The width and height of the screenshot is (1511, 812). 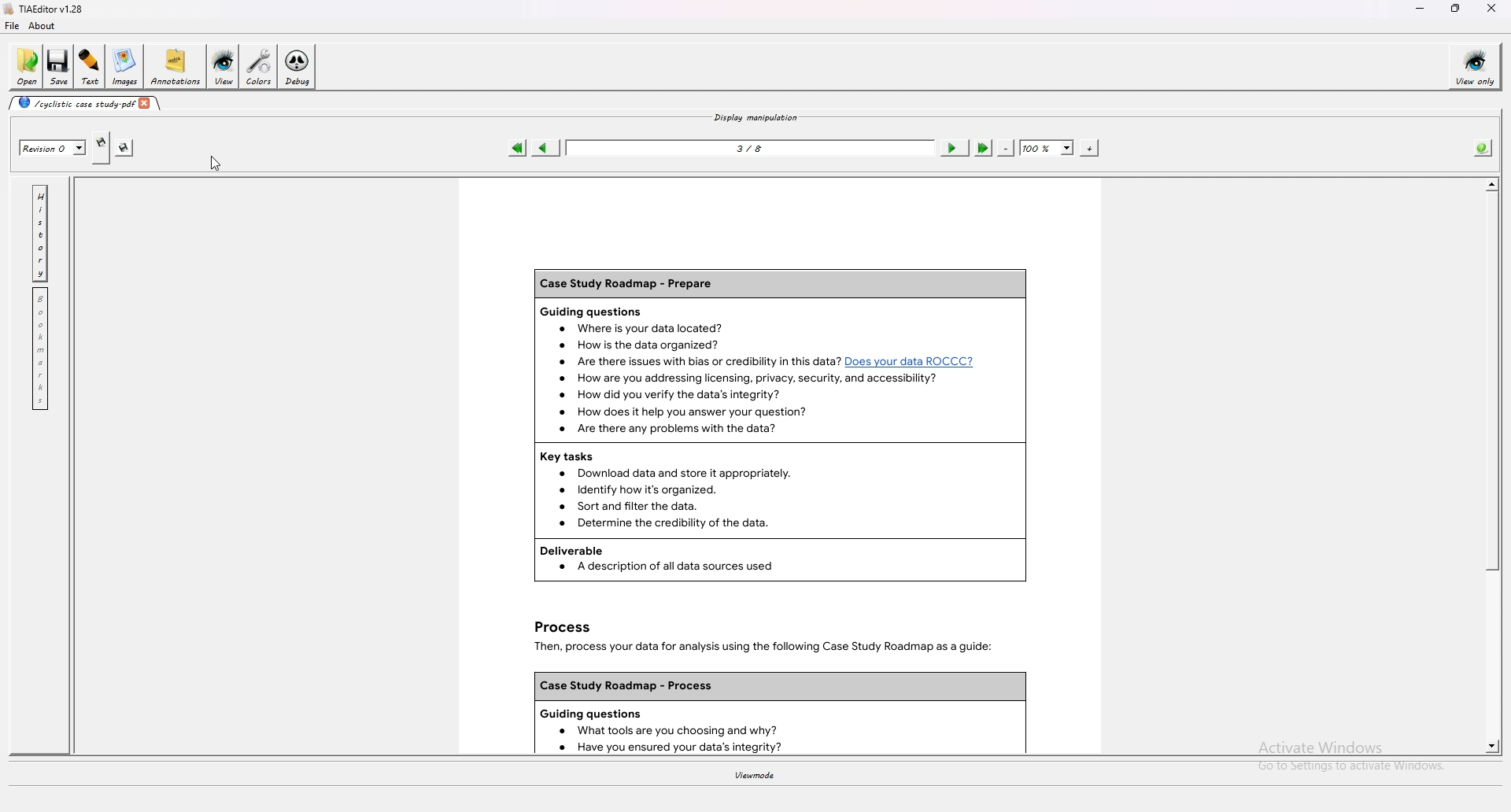 What do you see at coordinates (125, 67) in the screenshot?
I see `images` at bounding box center [125, 67].